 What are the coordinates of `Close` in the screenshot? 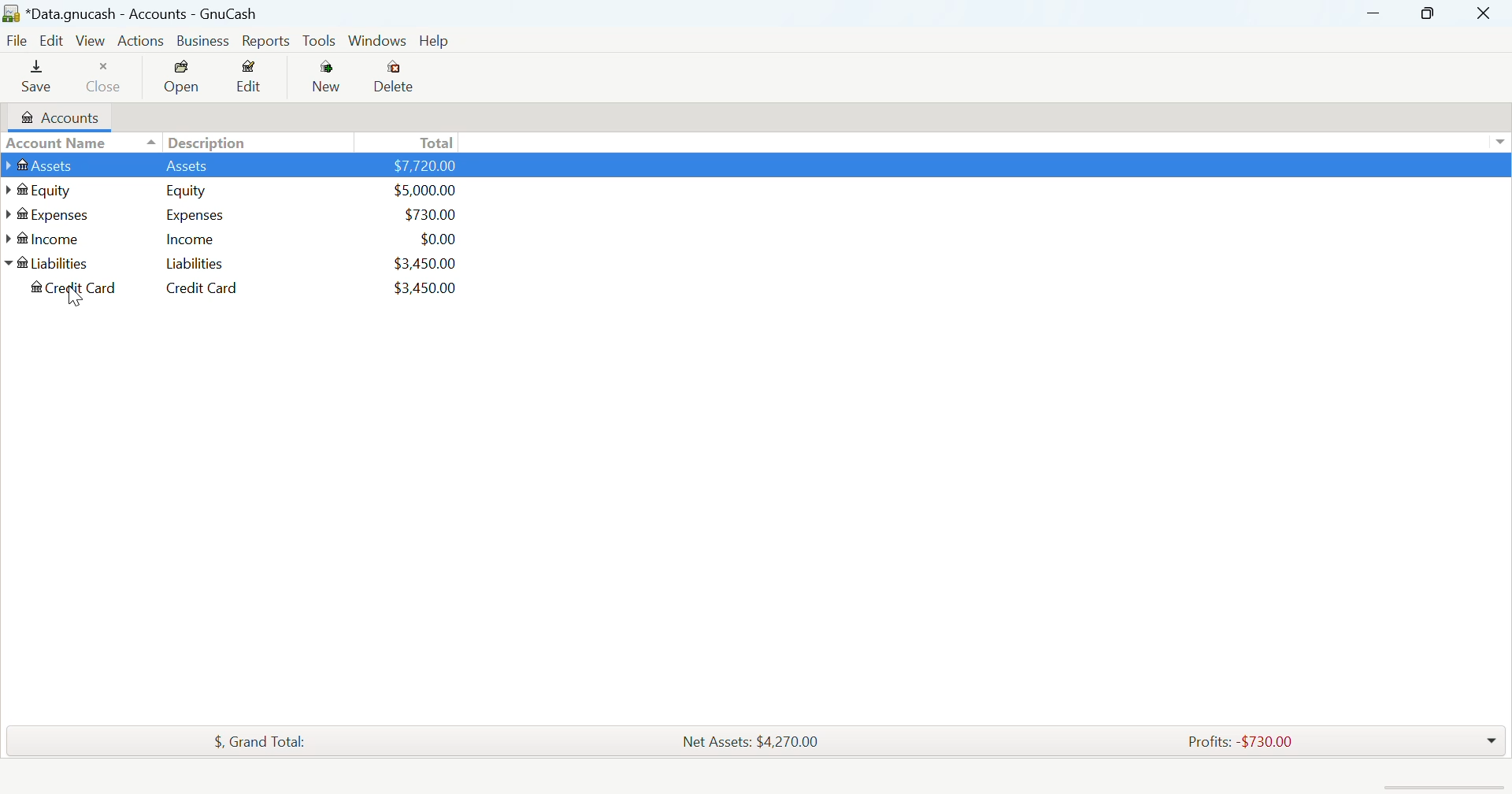 It's located at (108, 77).